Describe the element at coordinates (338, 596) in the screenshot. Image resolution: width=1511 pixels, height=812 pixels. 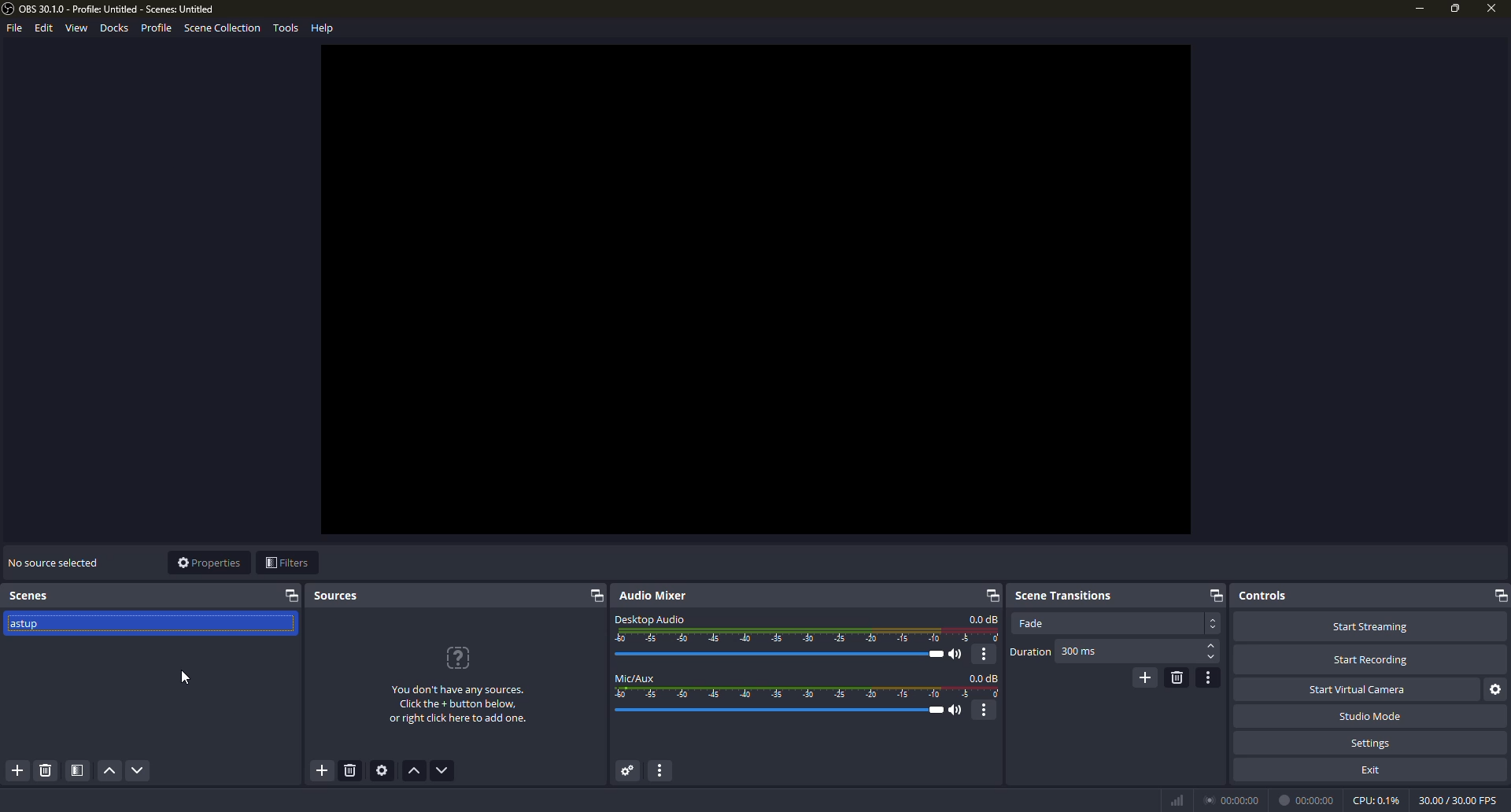
I see `sources` at that location.